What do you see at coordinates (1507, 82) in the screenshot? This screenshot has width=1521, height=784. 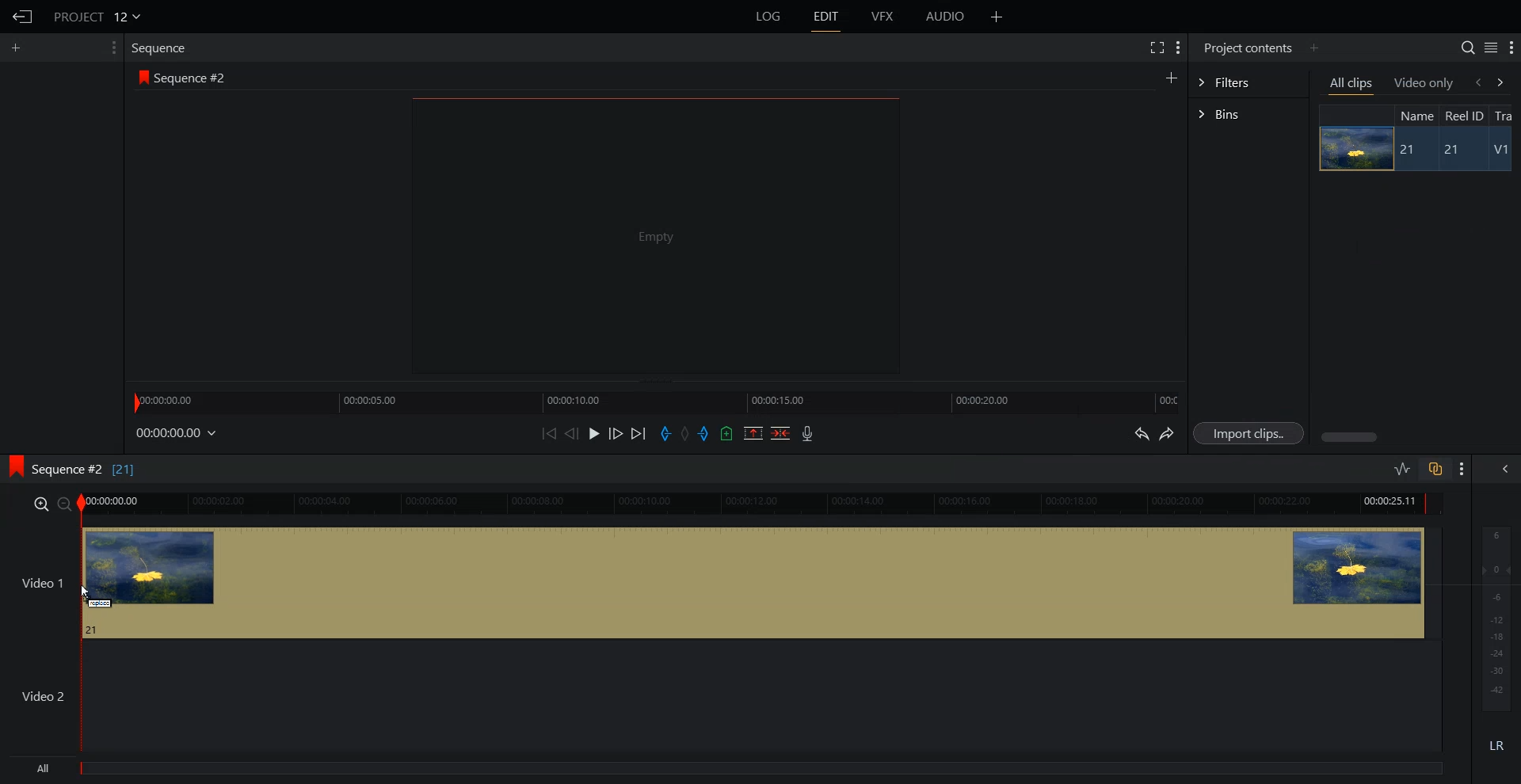 I see `forward` at bounding box center [1507, 82].